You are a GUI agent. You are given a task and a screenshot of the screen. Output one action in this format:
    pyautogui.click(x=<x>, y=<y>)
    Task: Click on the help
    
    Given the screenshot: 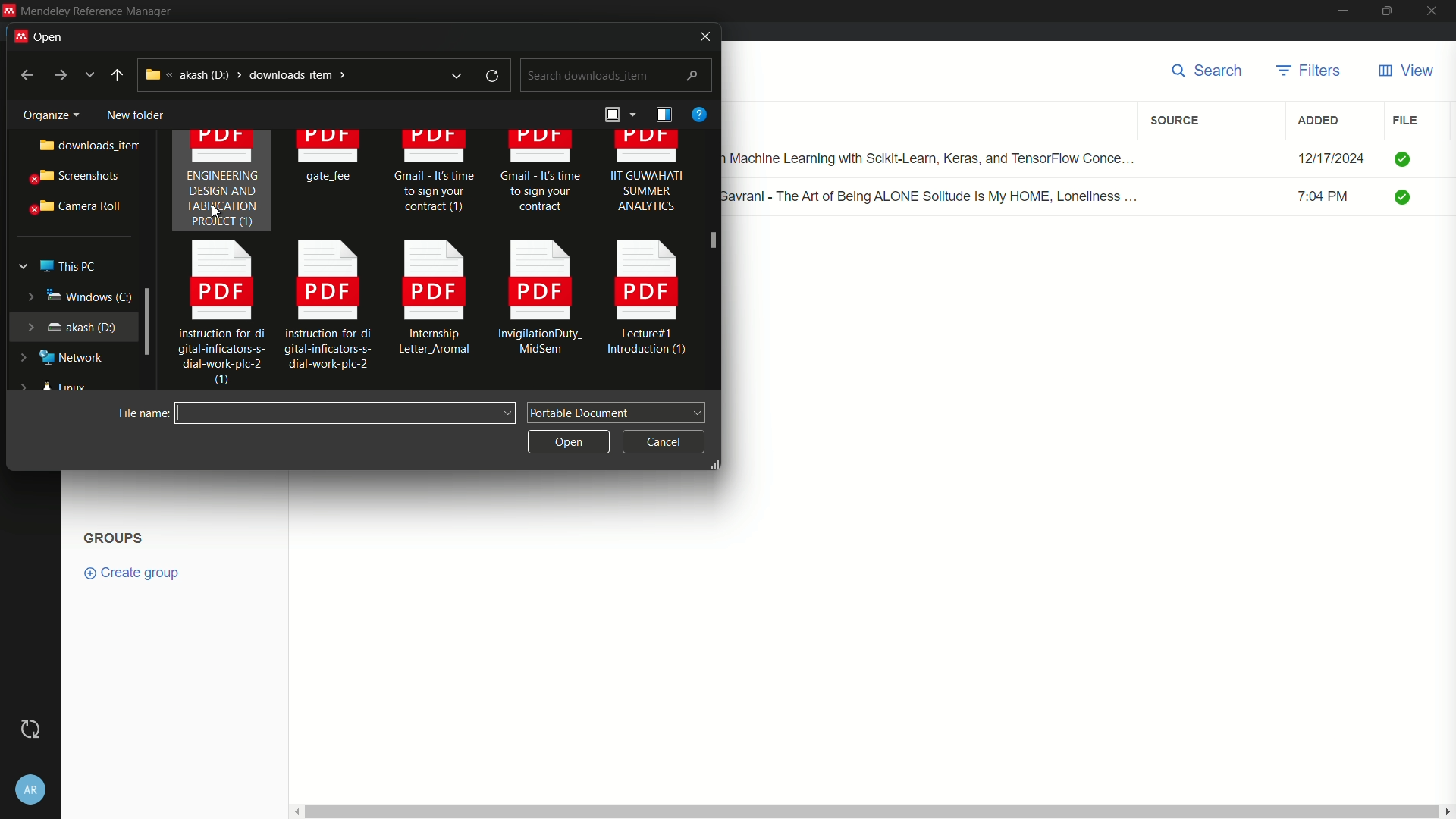 What is the action you would take?
    pyautogui.click(x=698, y=114)
    